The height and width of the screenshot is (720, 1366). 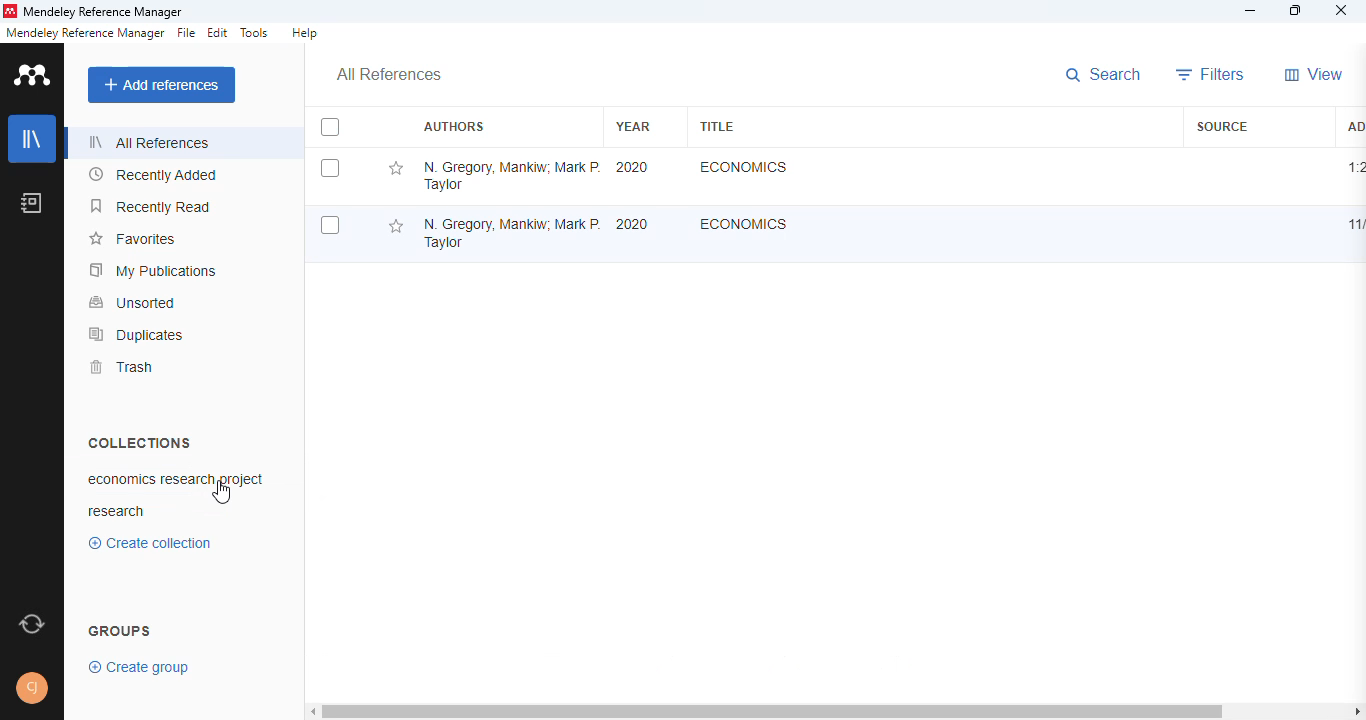 I want to click on create collection, so click(x=155, y=543).